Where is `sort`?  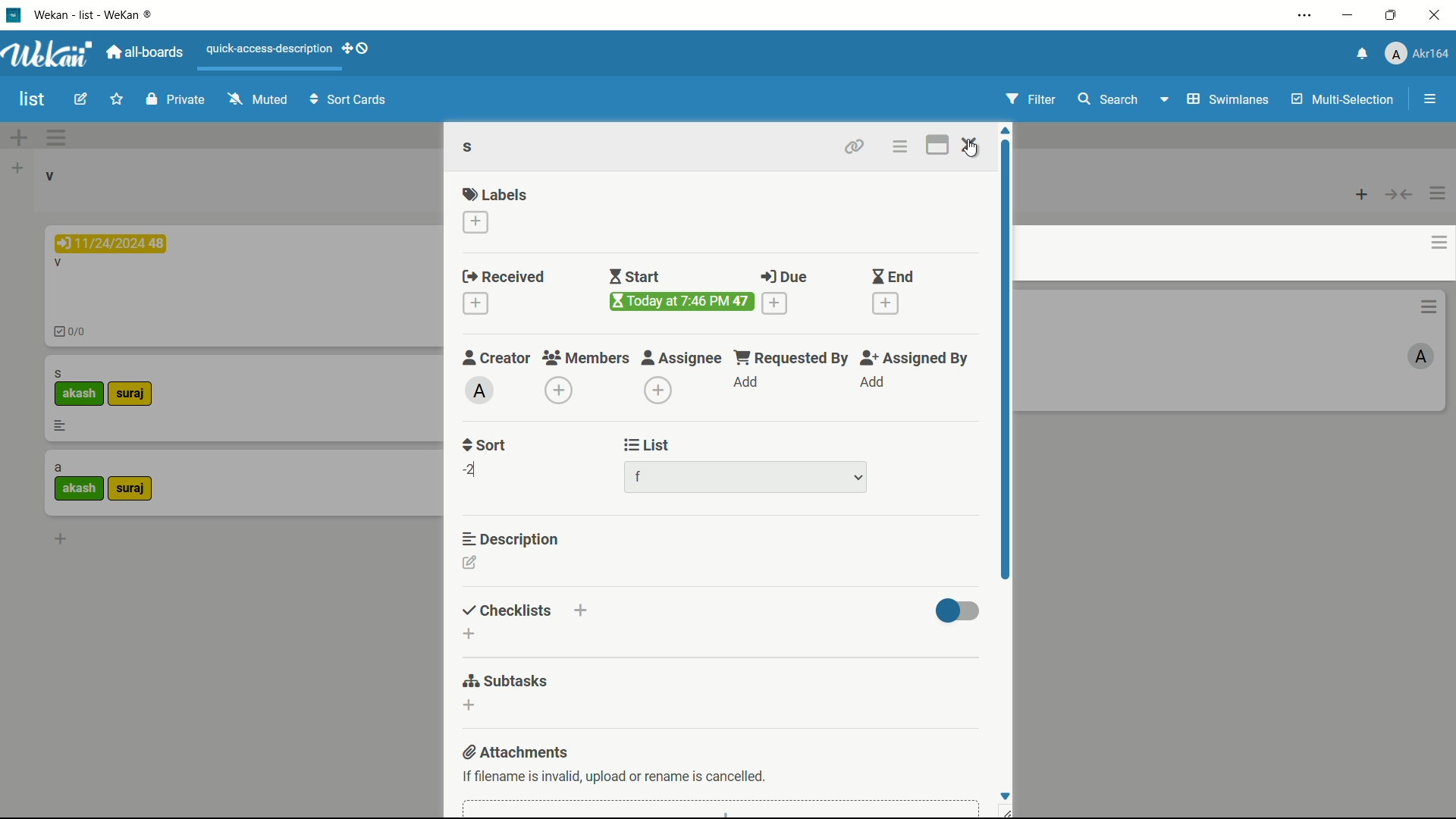
sort is located at coordinates (485, 444).